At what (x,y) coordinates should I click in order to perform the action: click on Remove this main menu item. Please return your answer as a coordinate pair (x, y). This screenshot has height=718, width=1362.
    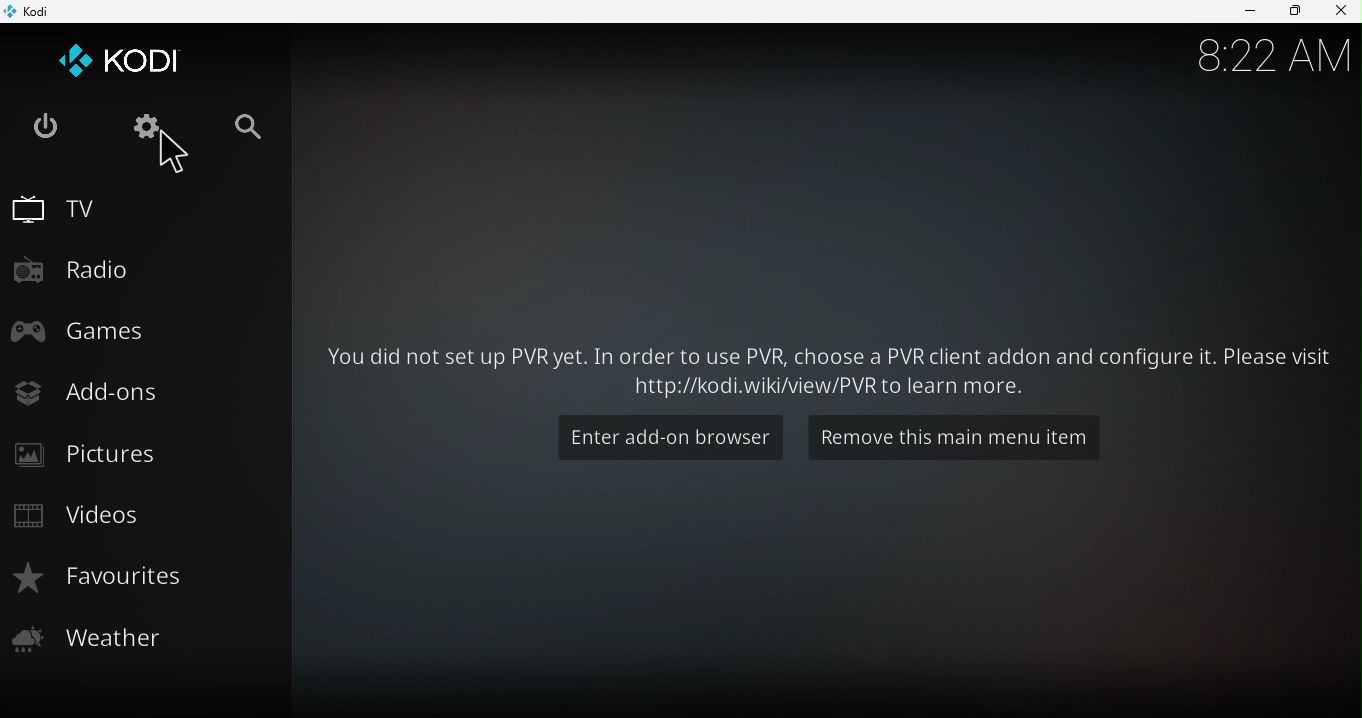
    Looking at the image, I should click on (953, 435).